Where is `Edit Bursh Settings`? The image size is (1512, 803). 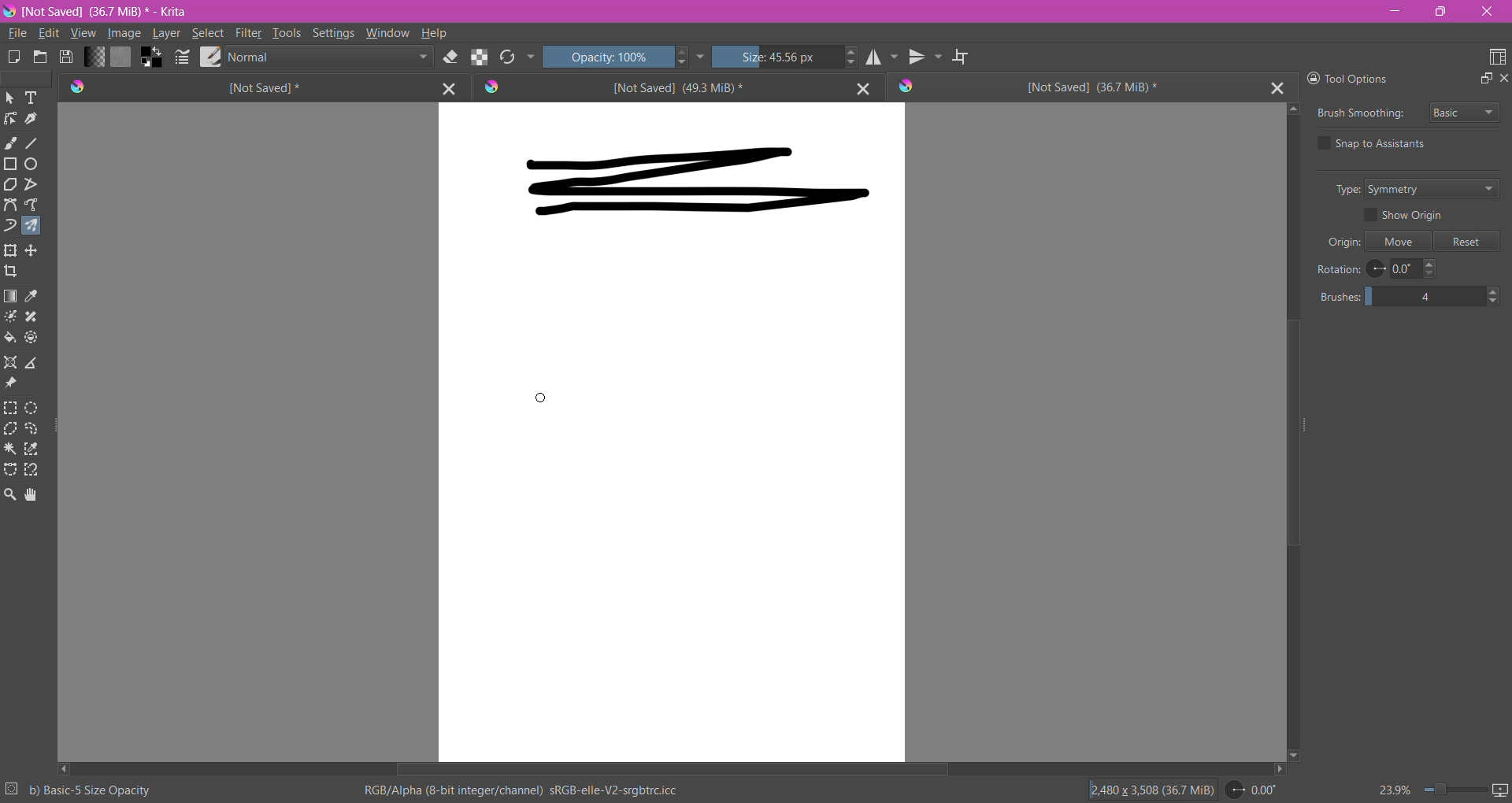
Edit Bursh Settings is located at coordinates (182, 58).